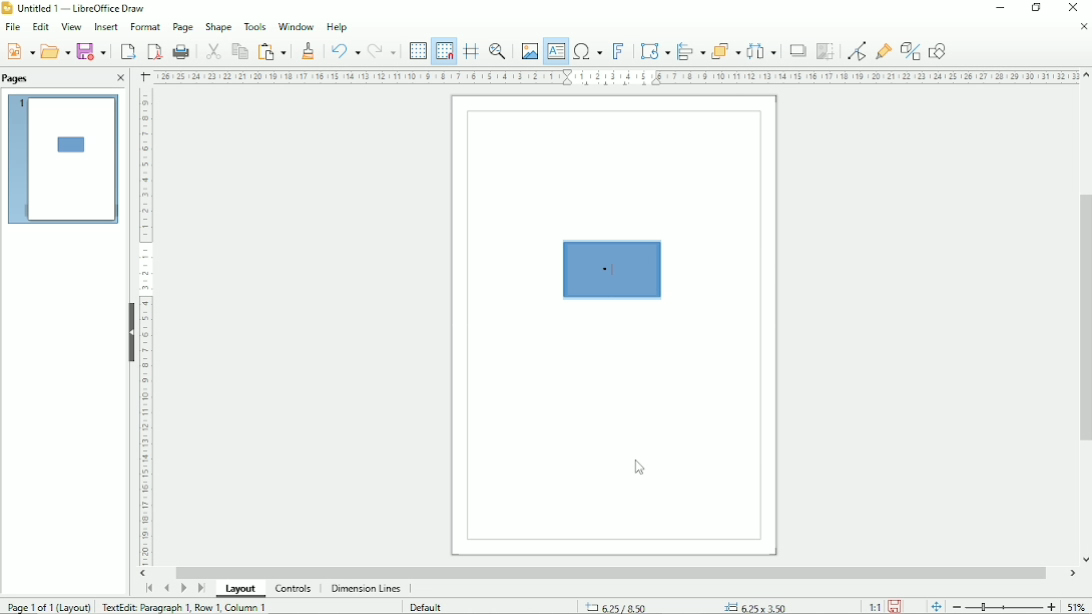 This screenshot has width=1092, height=614. Describe the element at coordinates (241, 589) in the screenshot. I see `Layout` at that location.